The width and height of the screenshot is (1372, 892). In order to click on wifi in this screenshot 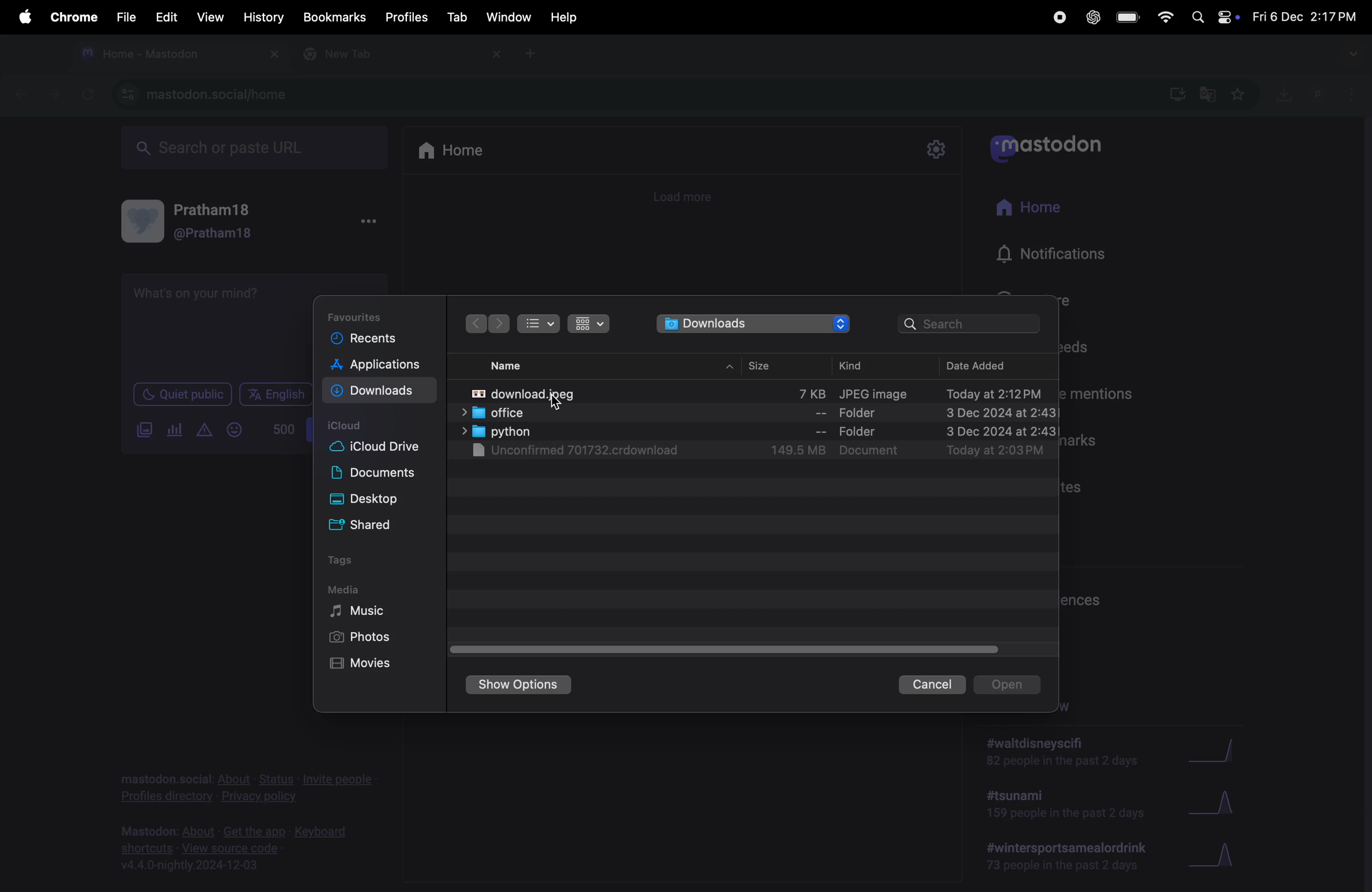, I will do `click(1164, 16)`.